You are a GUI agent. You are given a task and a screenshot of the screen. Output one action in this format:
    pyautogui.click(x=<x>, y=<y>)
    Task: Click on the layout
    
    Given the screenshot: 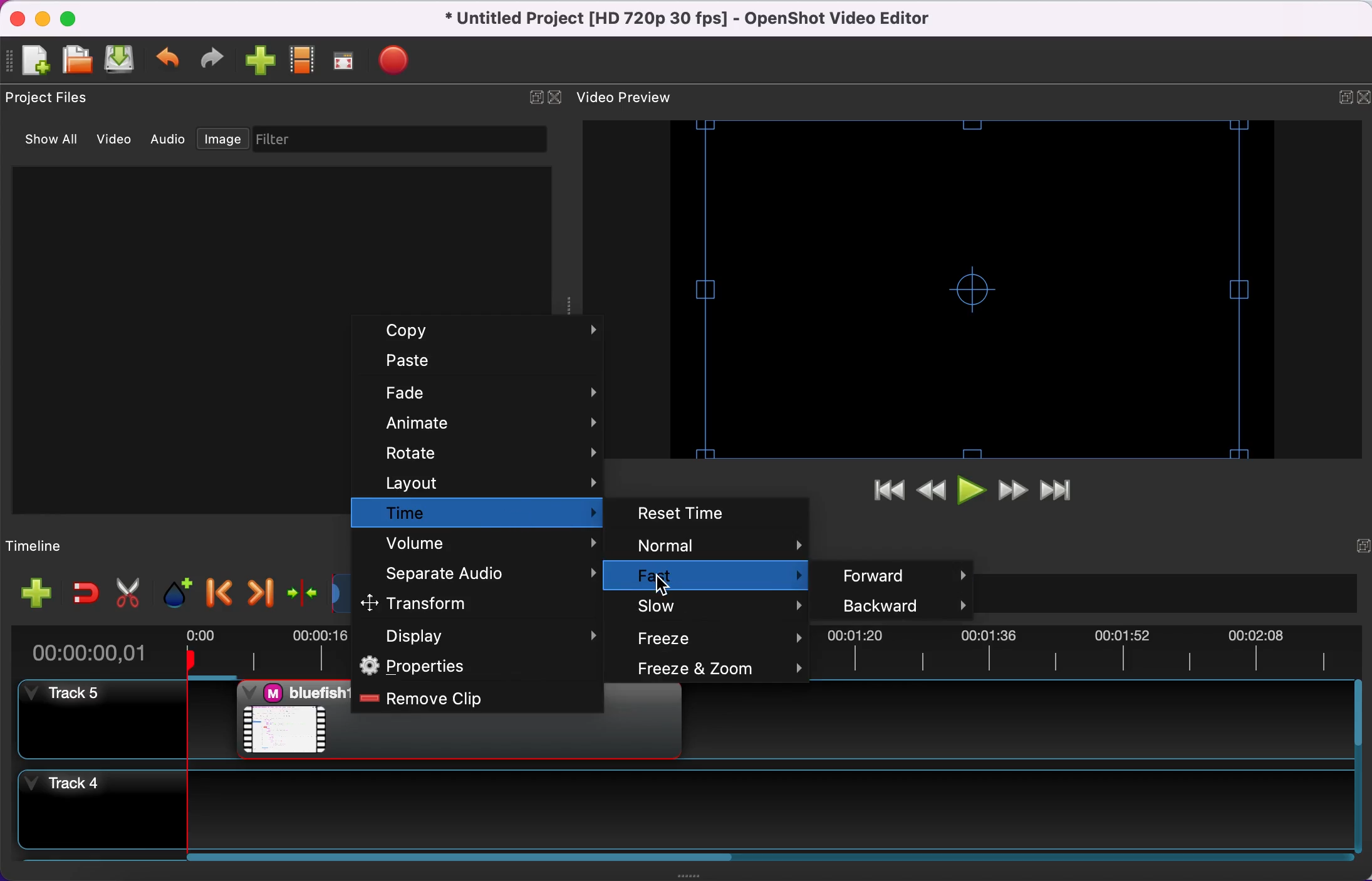 What is the action you would take?
    pyautogui.click(x=479, y=482)
    